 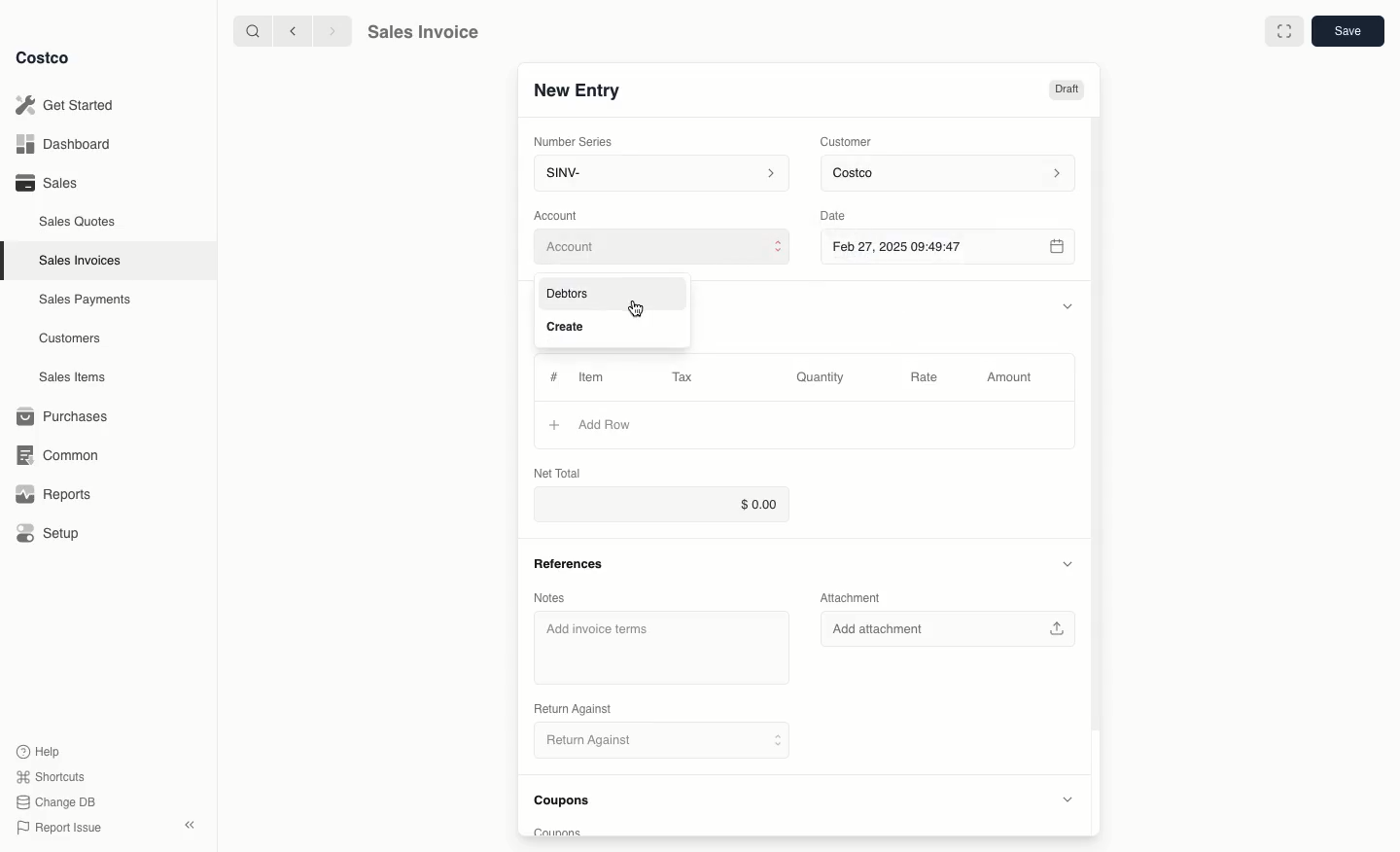 I want to click on Get Started, so click(x=68, y=105).